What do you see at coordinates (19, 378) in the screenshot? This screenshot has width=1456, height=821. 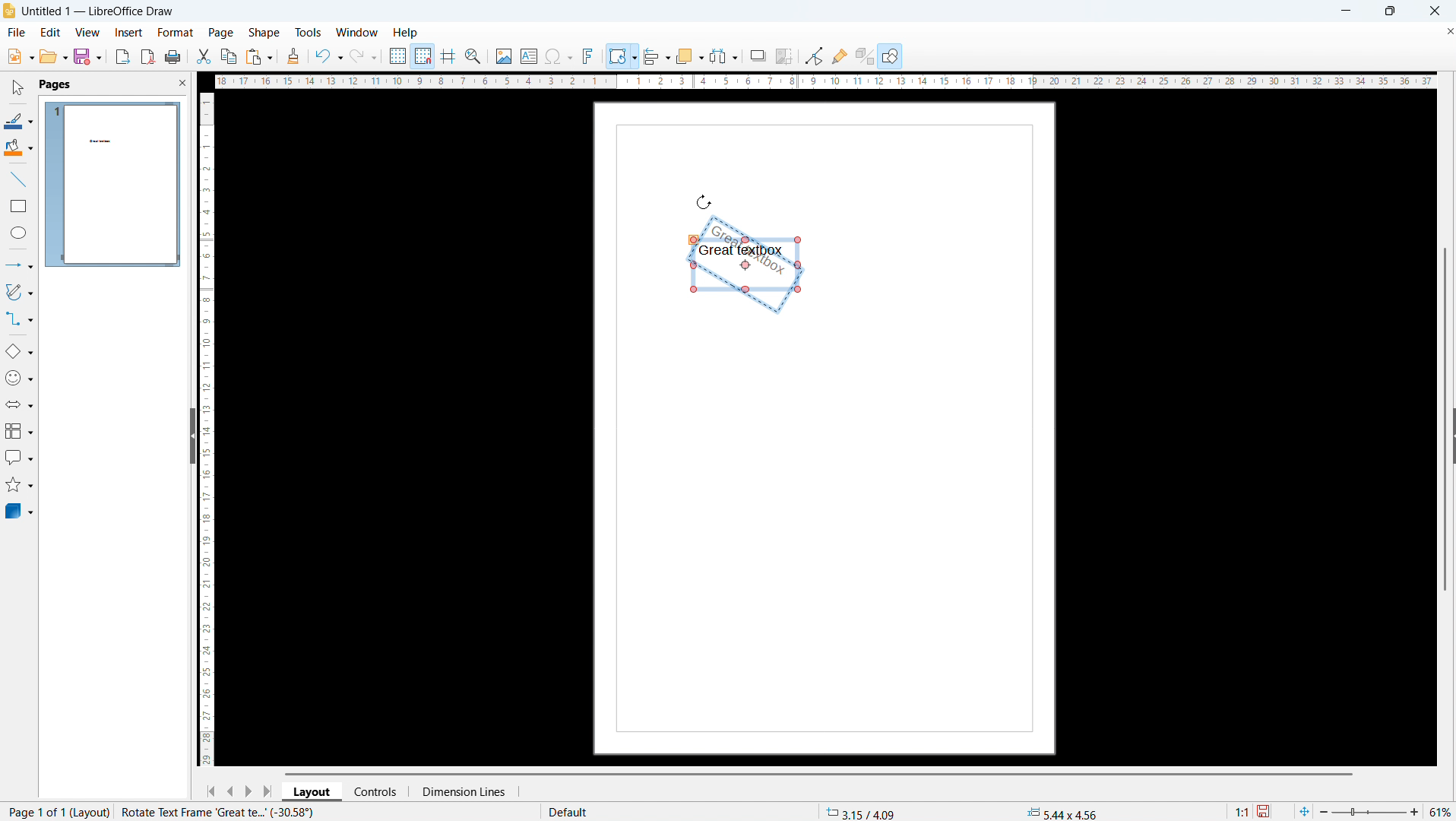 I see `symbol shapes` at bounding box center [19, 378].